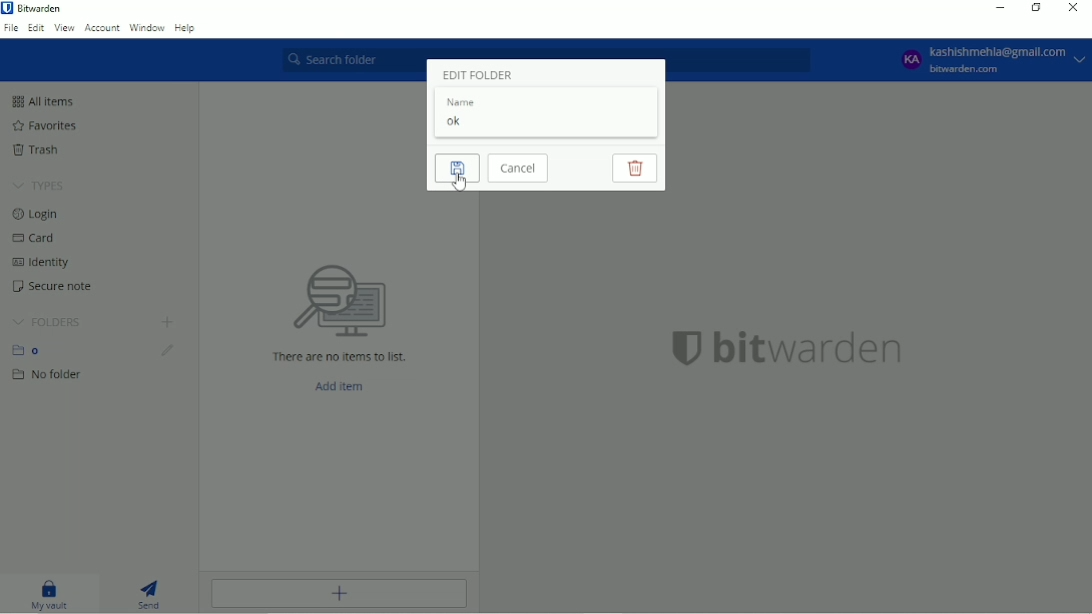  I want to click on Edit folder, so click(167, 351).